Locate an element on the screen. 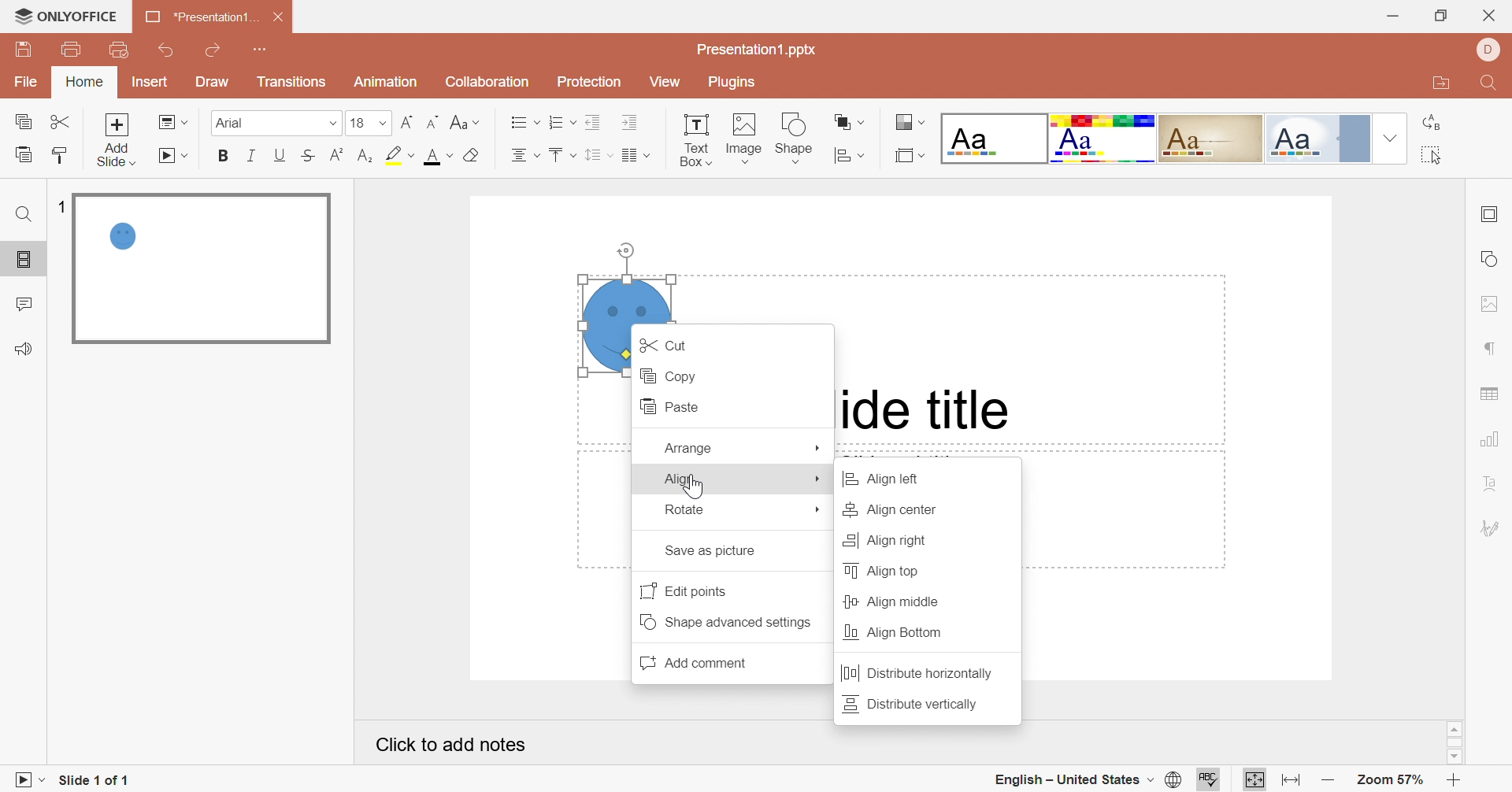 This screenshot has width=1512, height=792. slide settings is located at coordinates (1493, 214).